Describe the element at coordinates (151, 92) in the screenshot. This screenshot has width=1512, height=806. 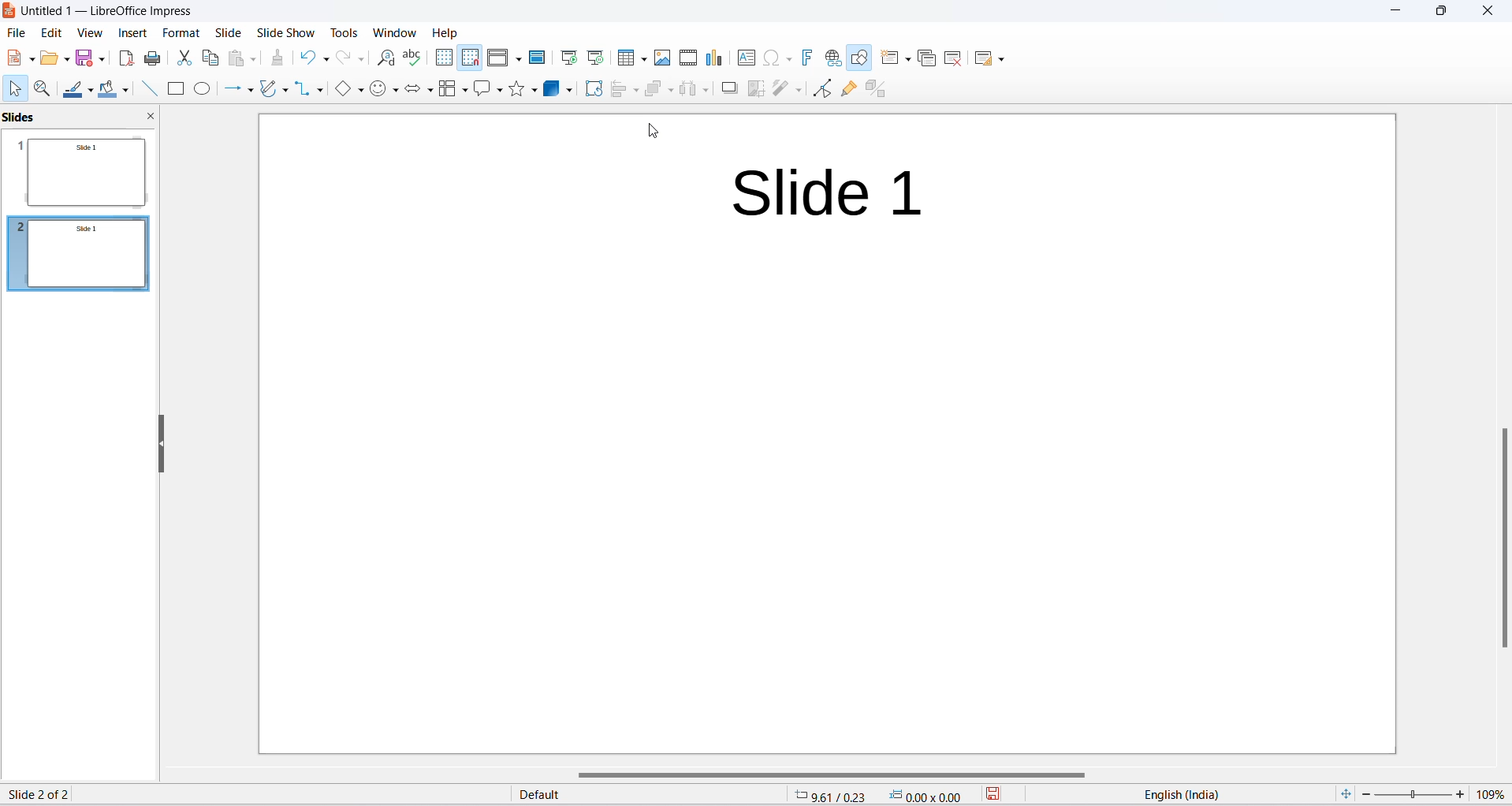
I see `line` at that location.